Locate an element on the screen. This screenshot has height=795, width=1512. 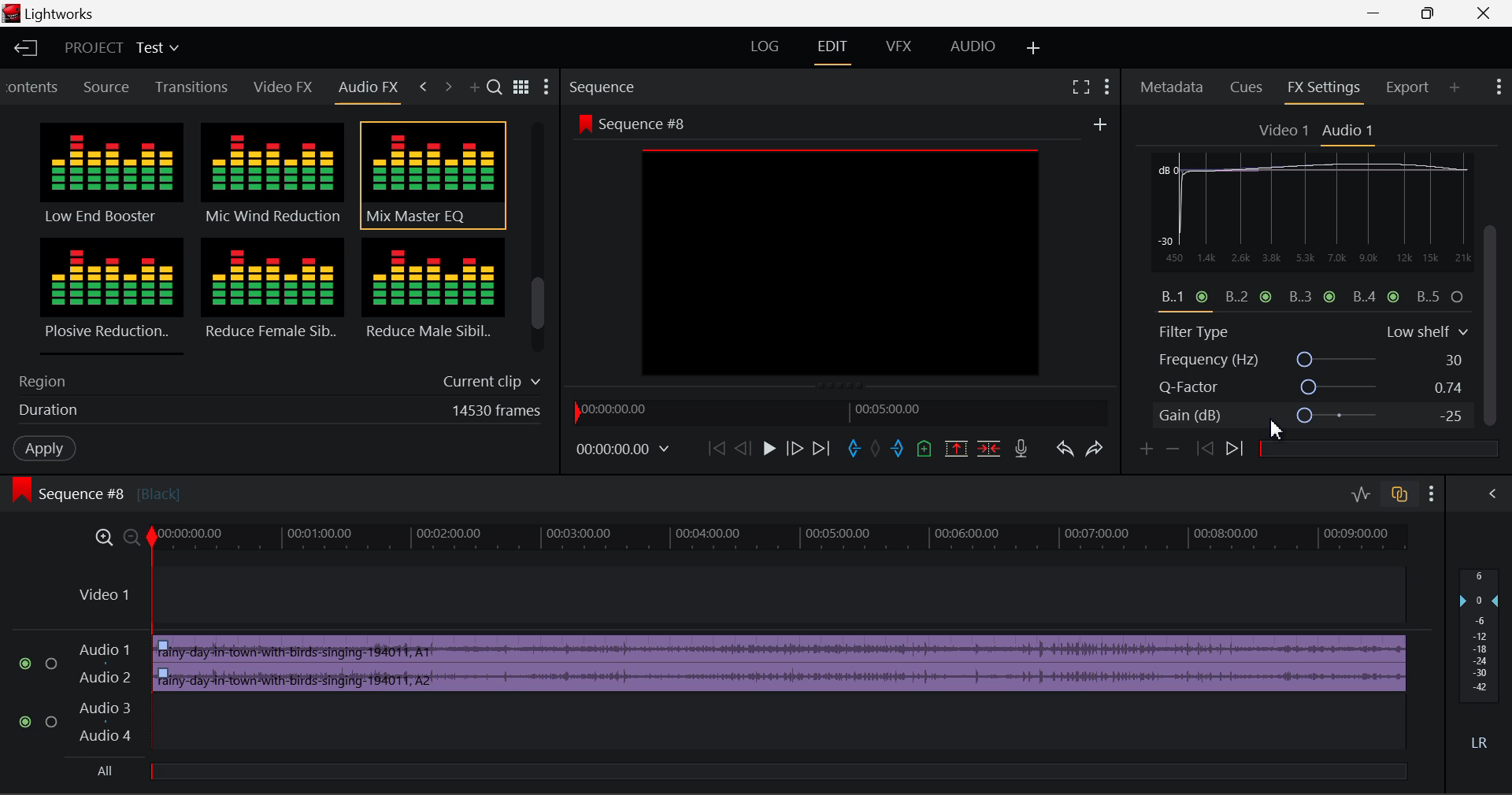
Frequency (Hz) is located at coordinates (1314, 360).